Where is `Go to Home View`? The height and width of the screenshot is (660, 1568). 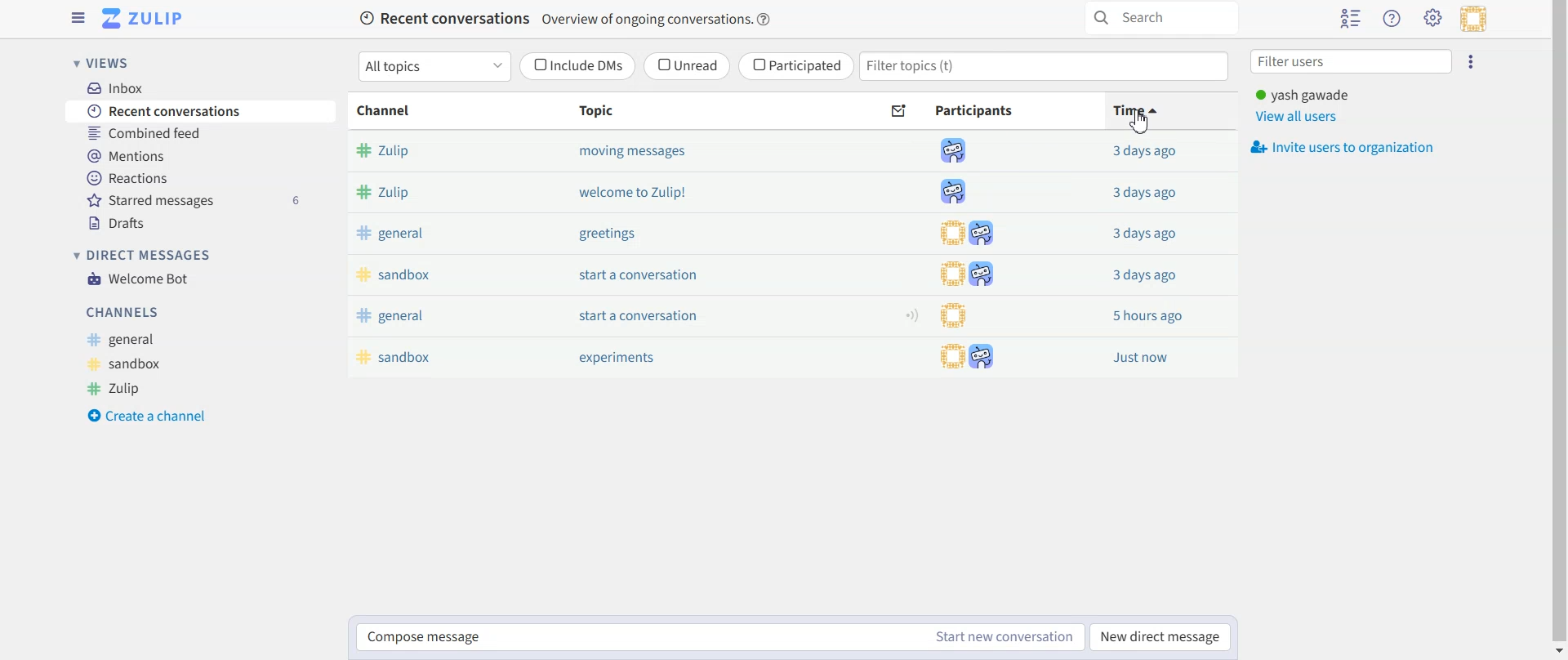 Go to Home View is located at coordinates (145, 18).